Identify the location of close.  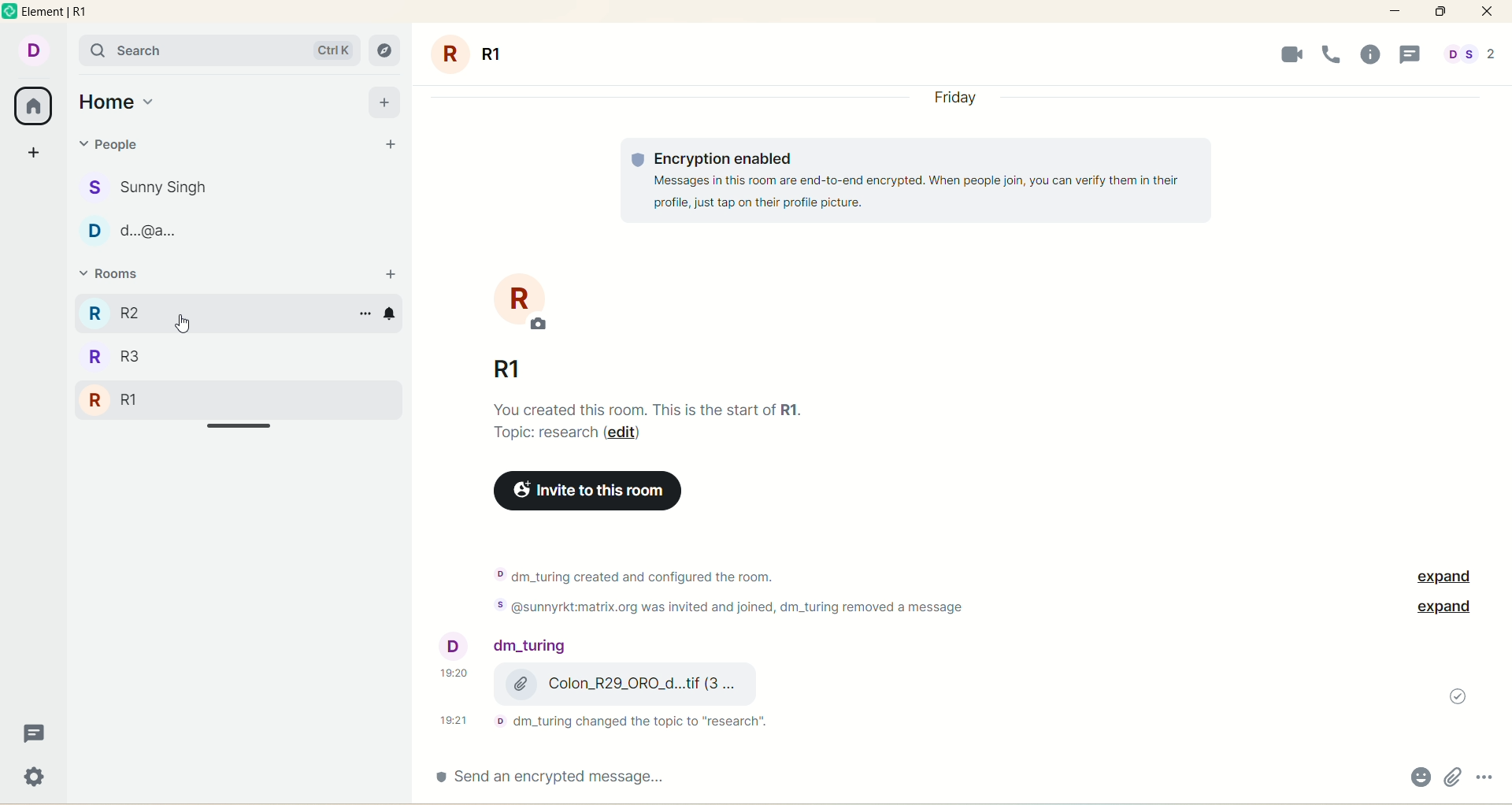
(1487, 12).